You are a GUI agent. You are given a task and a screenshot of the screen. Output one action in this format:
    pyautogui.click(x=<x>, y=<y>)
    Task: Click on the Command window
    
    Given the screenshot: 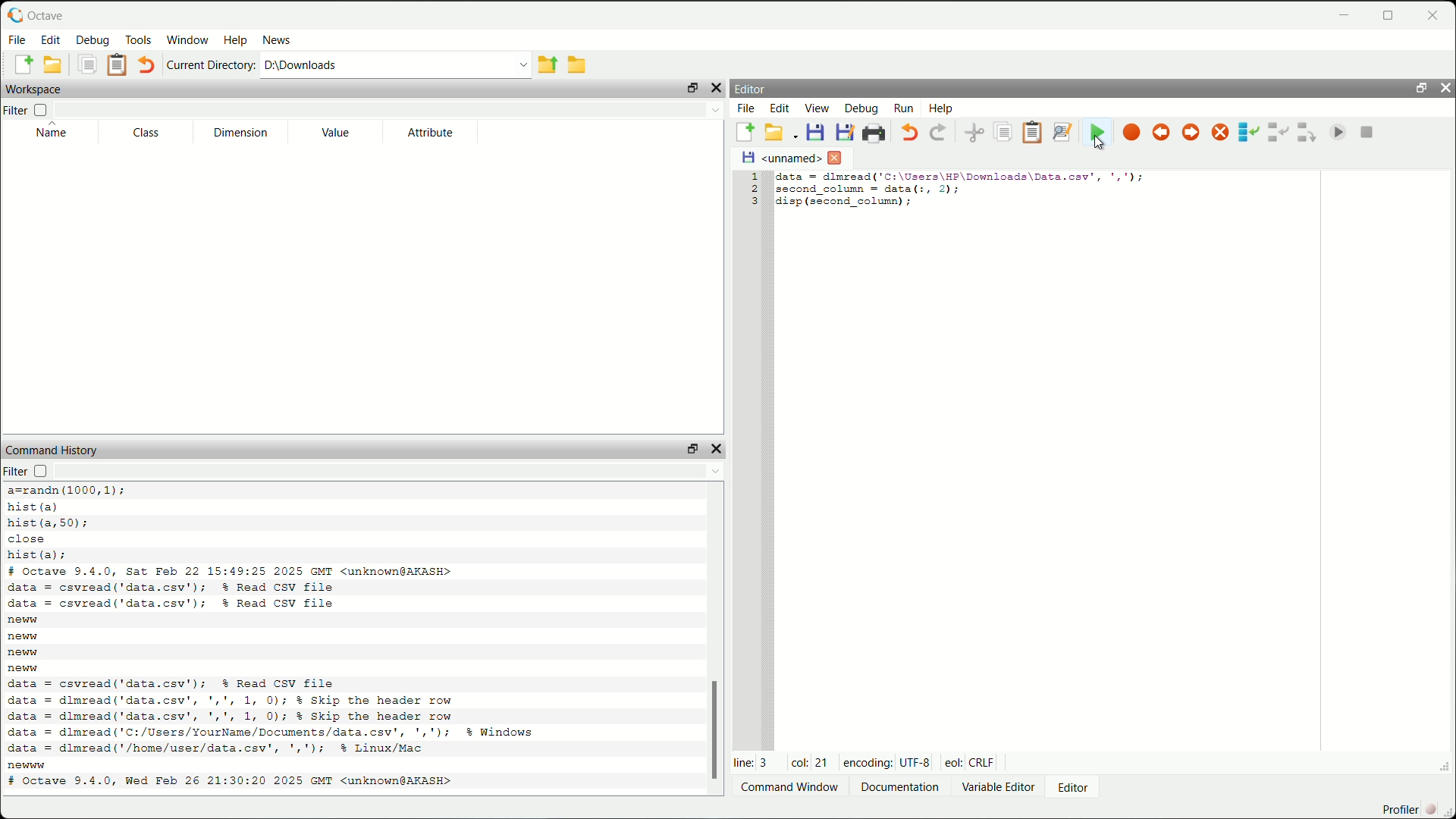 What is the action you would take?
    pyautogui.click(x=791, y=788)
    